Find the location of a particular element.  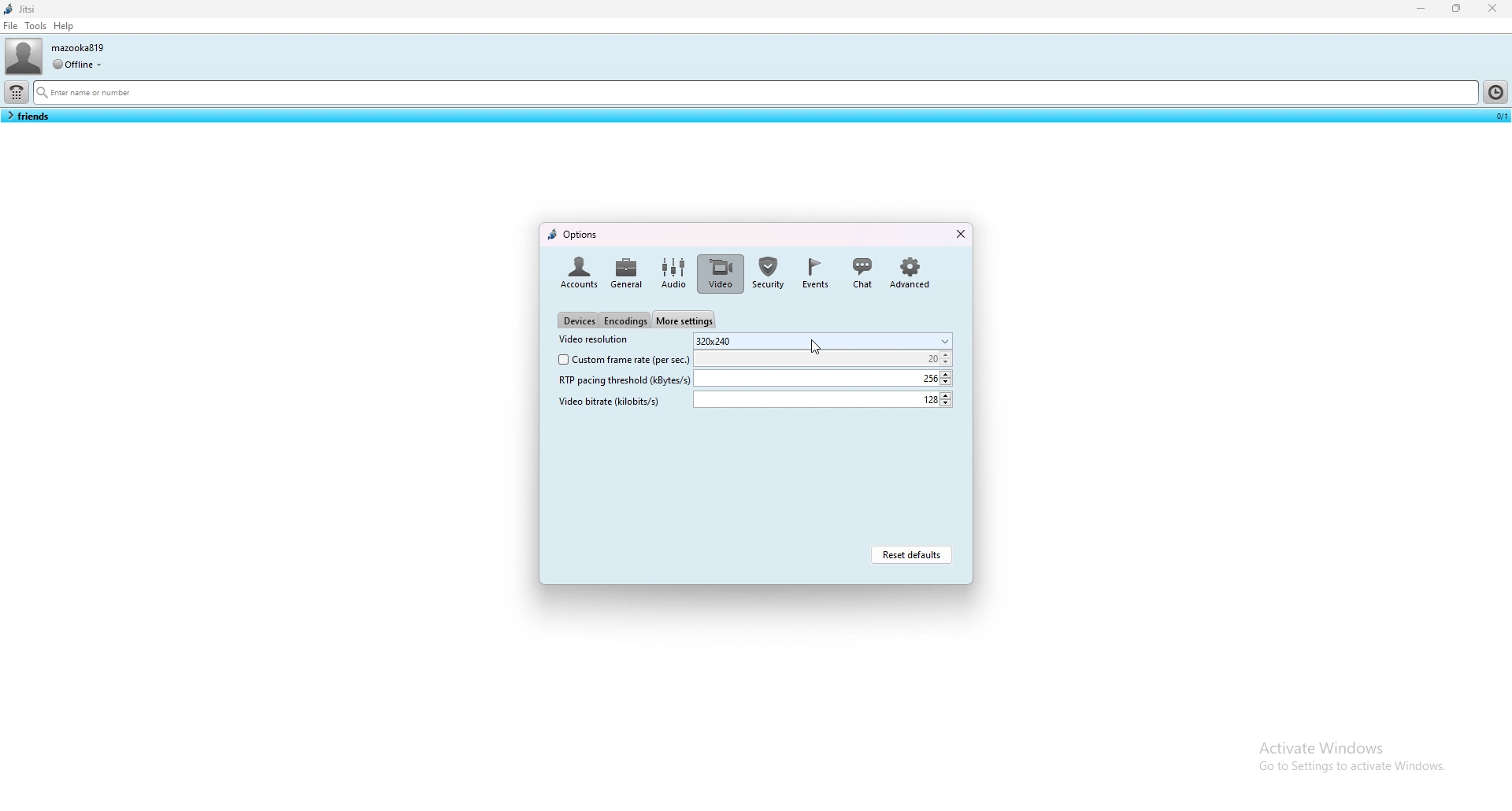

Encodings is located at coordinates (625, 321).